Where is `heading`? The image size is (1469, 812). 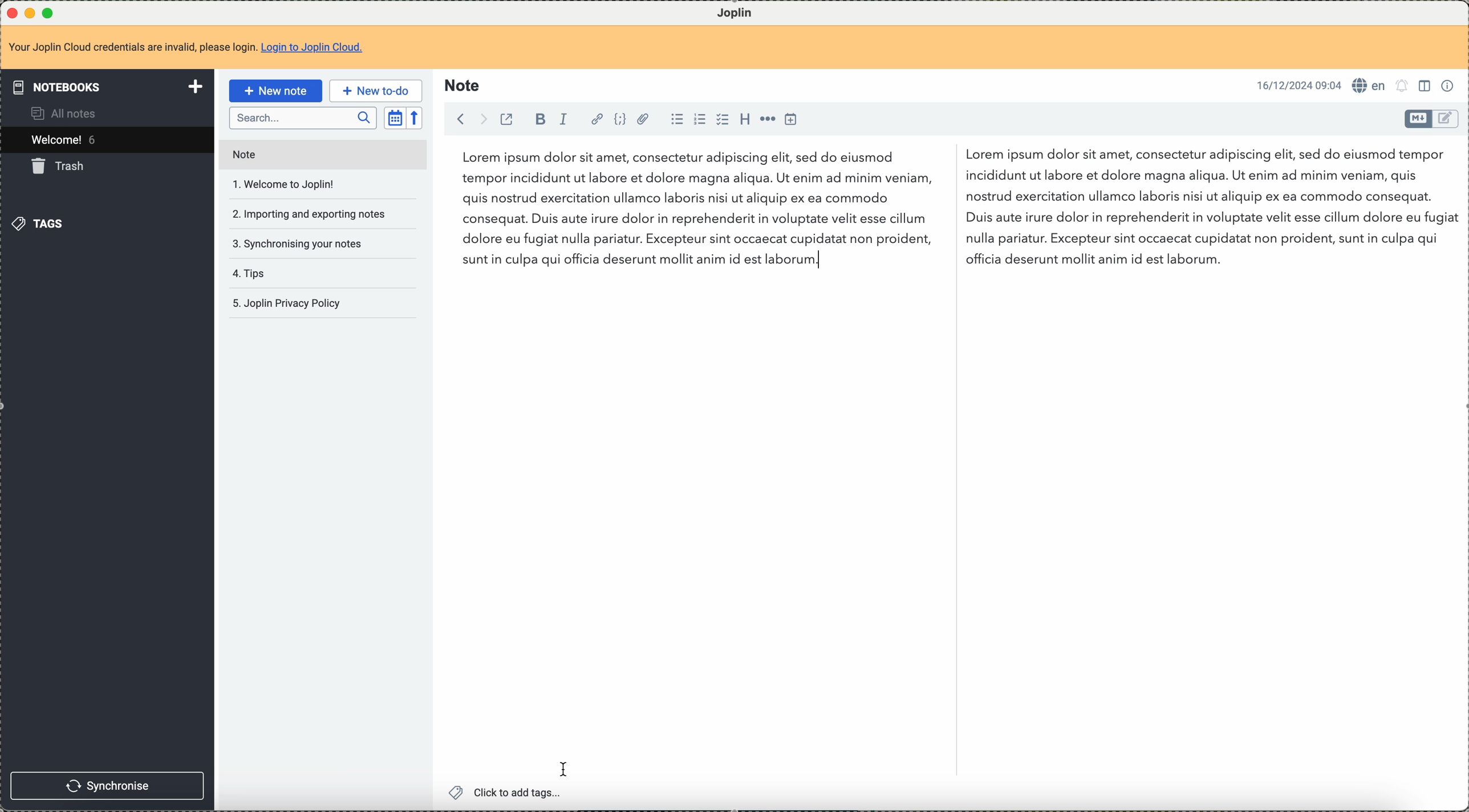
heading is located at coordinates (745, 121).